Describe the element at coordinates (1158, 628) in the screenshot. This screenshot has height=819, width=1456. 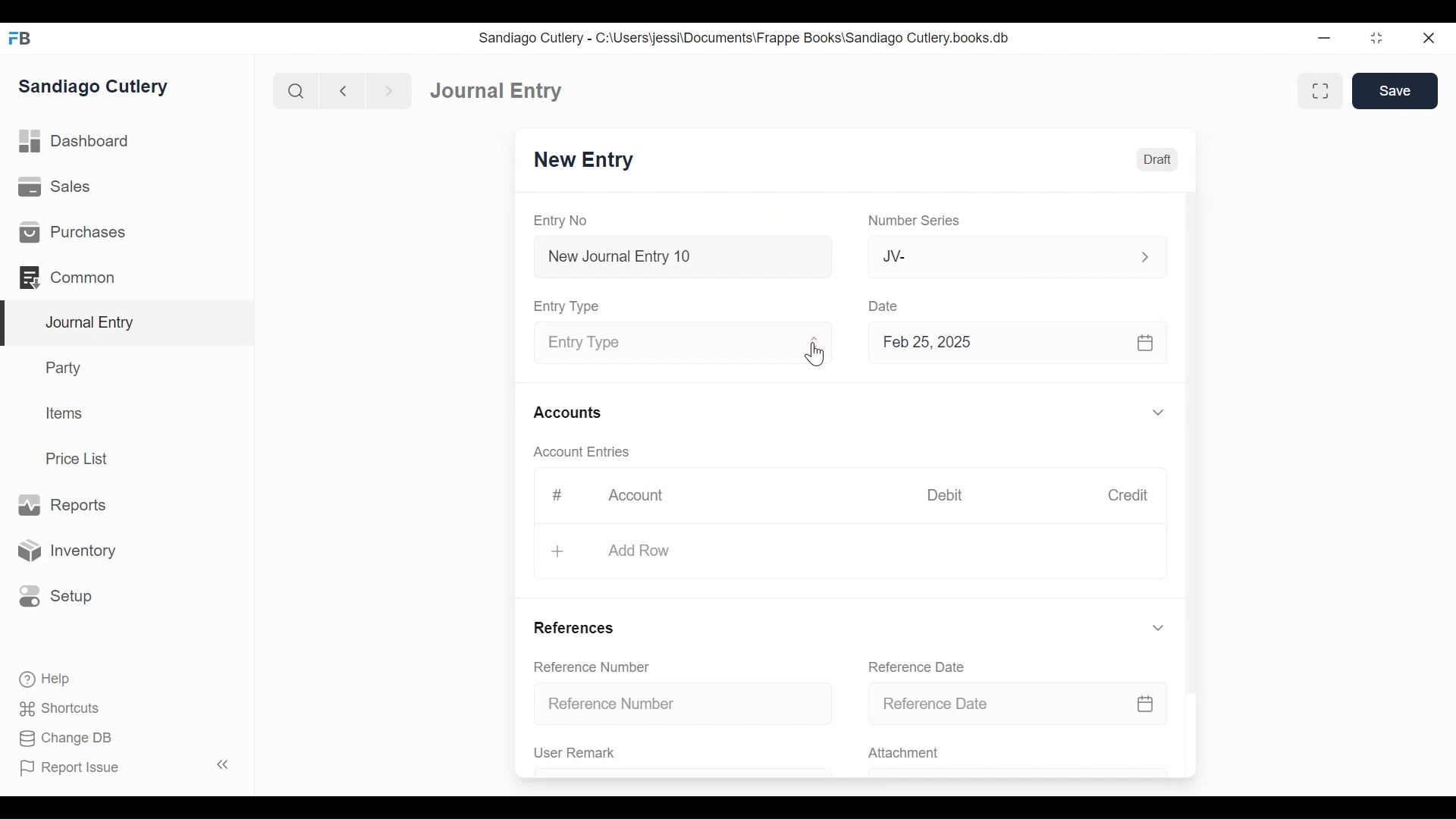
I see `Expand` at that location.